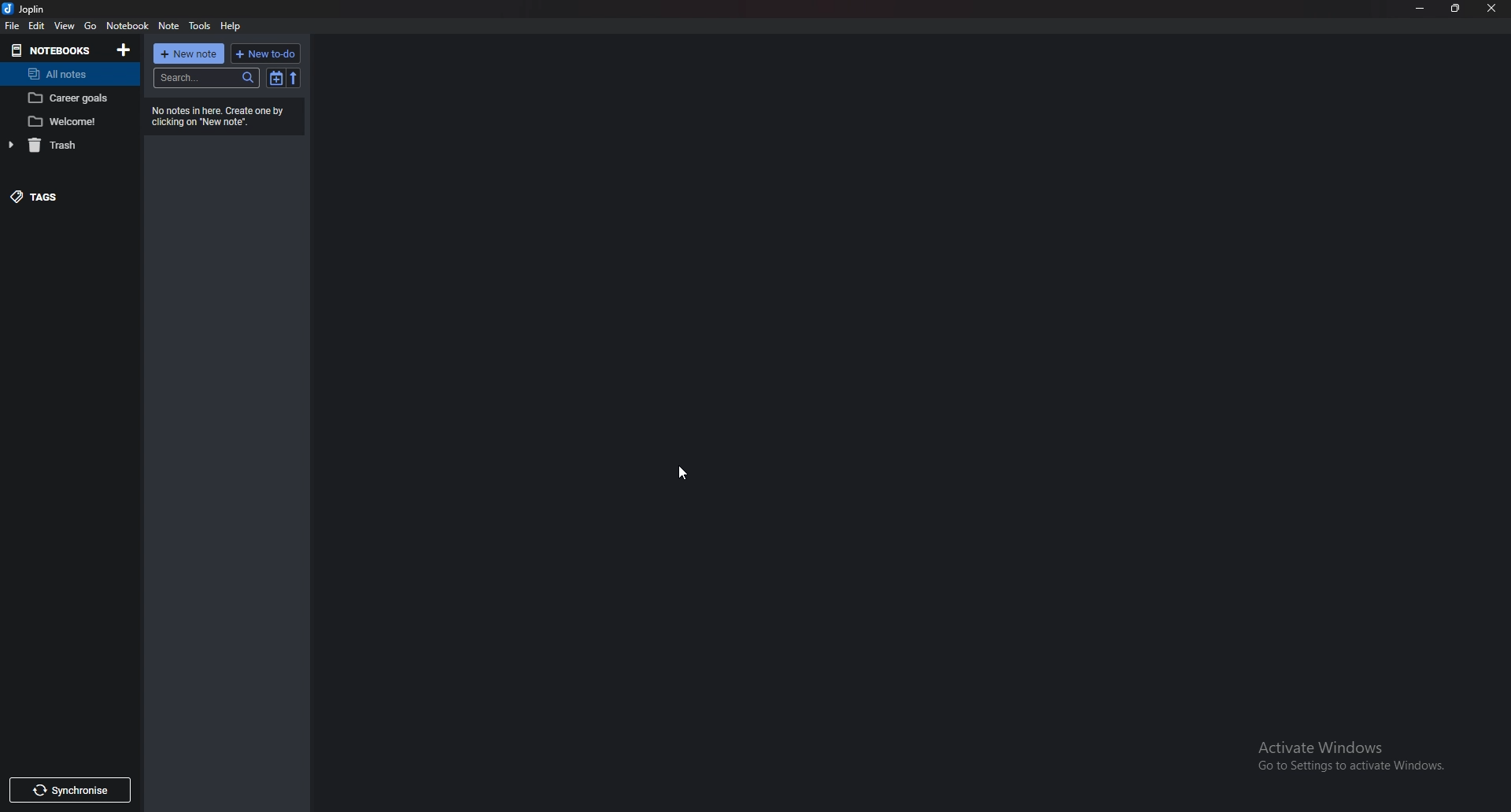 The image size is (1511, 812). What do you see at coordinates (168, 26) in the screenshot?
I see `note` at bounding box center [168, 26].